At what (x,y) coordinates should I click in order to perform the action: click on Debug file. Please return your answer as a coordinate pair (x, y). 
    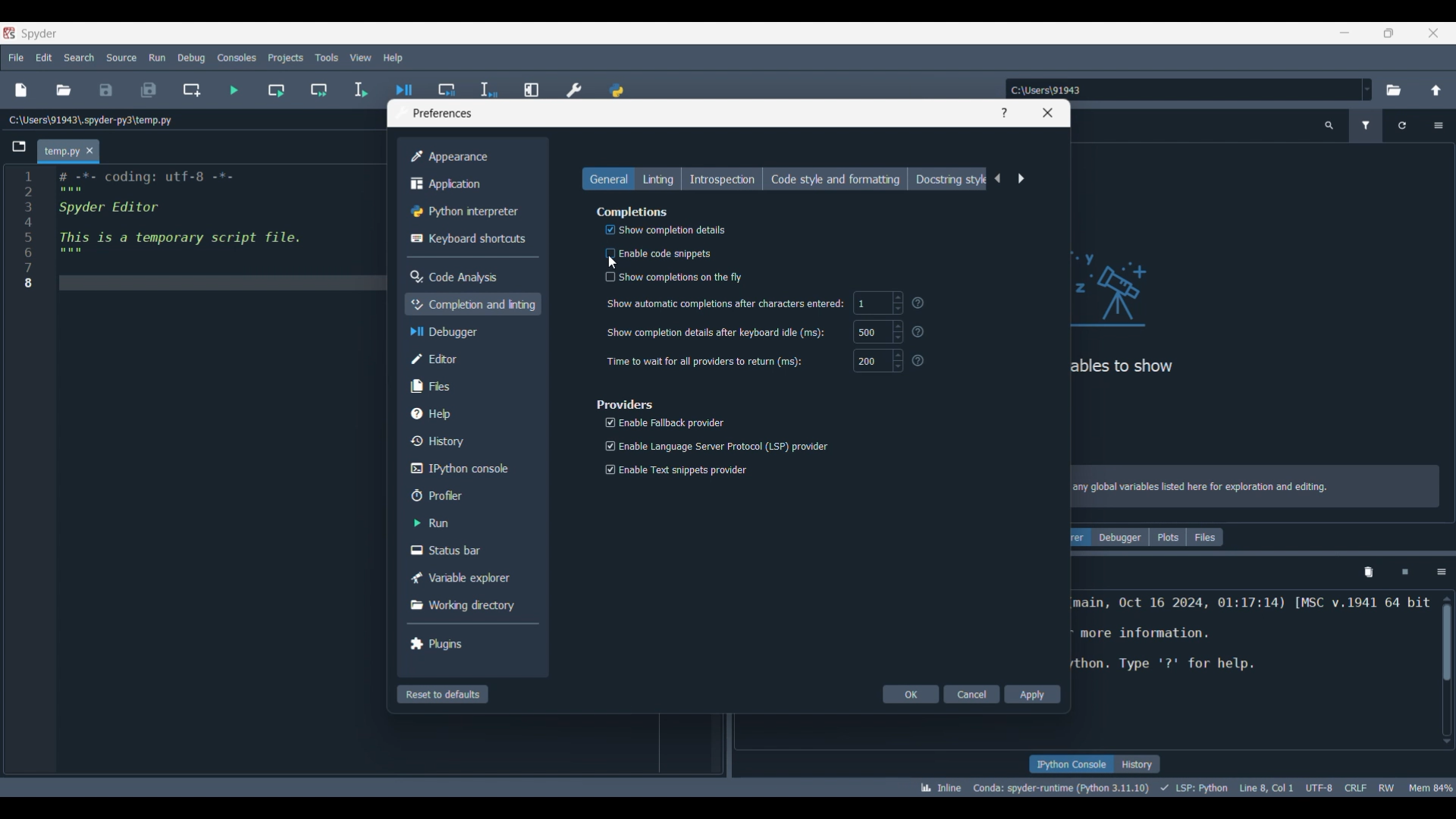
    Looking at the image, I should click on (404, 84).